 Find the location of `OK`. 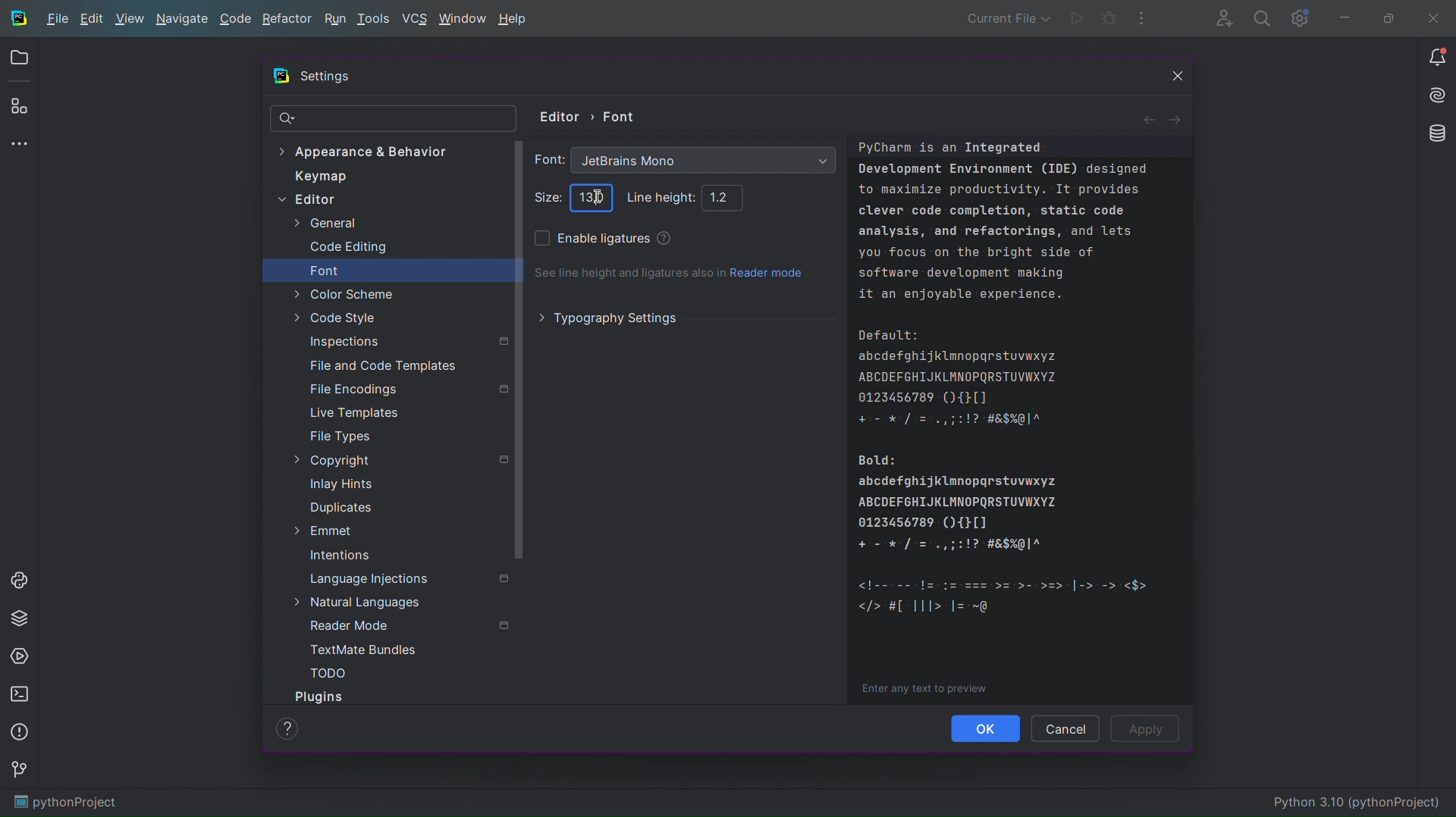

OK is located at coordinates (987, 728).